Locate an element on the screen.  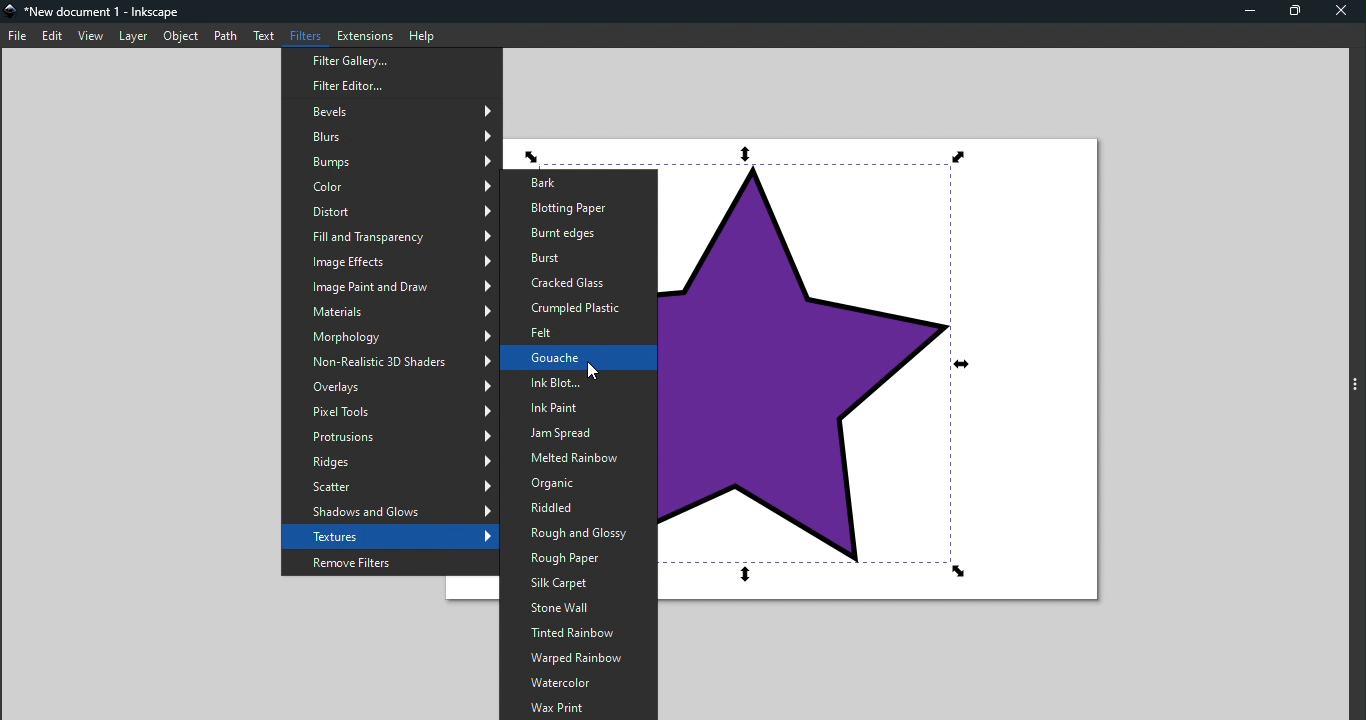
Remove filters is located at coordinates (389, 561).